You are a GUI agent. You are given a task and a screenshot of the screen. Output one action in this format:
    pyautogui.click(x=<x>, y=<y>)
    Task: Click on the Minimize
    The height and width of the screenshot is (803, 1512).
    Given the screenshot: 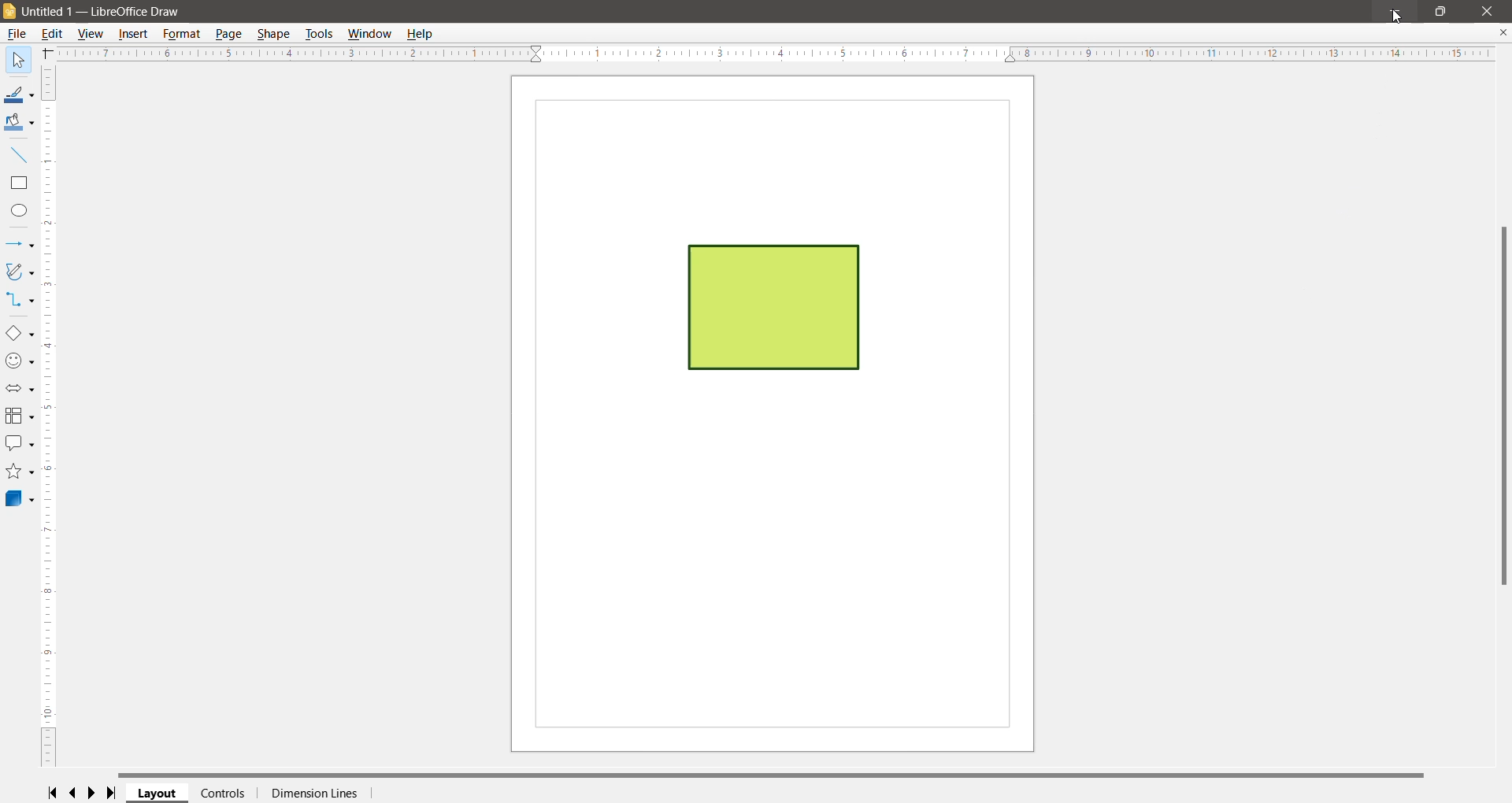 What is the action you would take?
    pyautogui.click(x=1395, y=9)
    